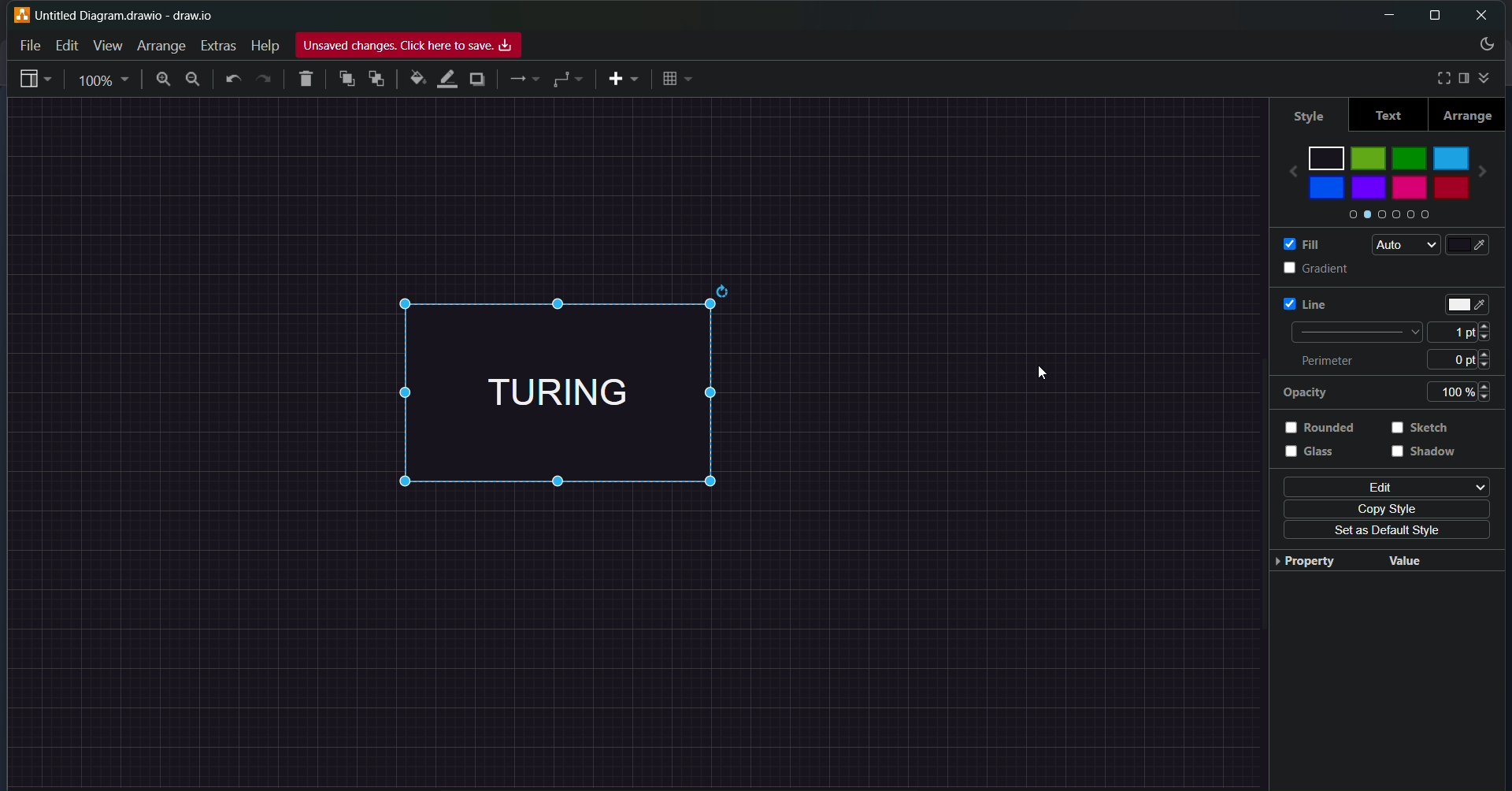 The width and height of the screenshot is (1512, 791). Describe the element at coordinates (569, 79) in the screenshot. I see `connector` at that location.